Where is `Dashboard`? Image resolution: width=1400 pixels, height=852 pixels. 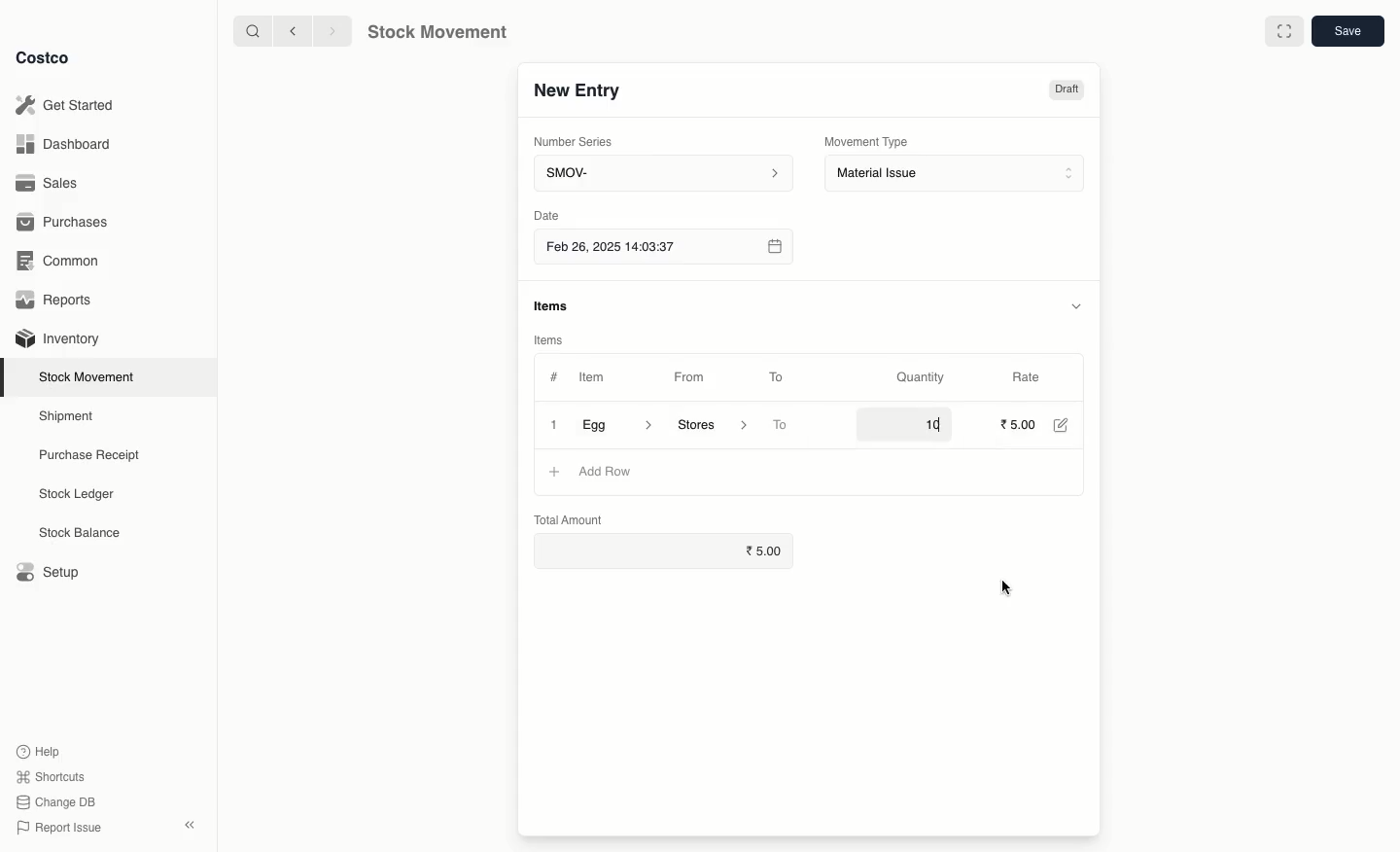 Dashboard is located at coordinates (65, 146).